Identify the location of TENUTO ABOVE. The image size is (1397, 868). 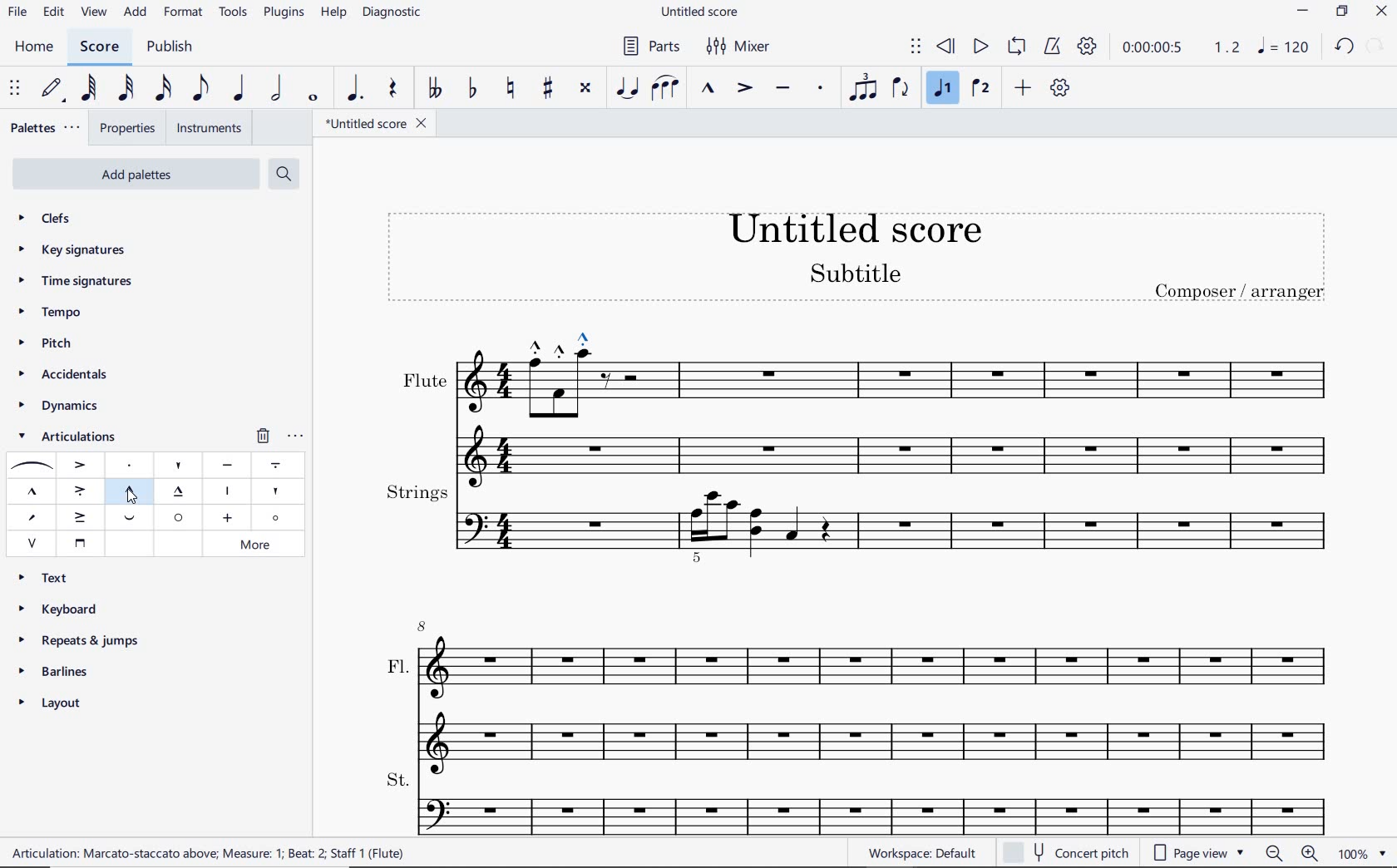
(227, 466).